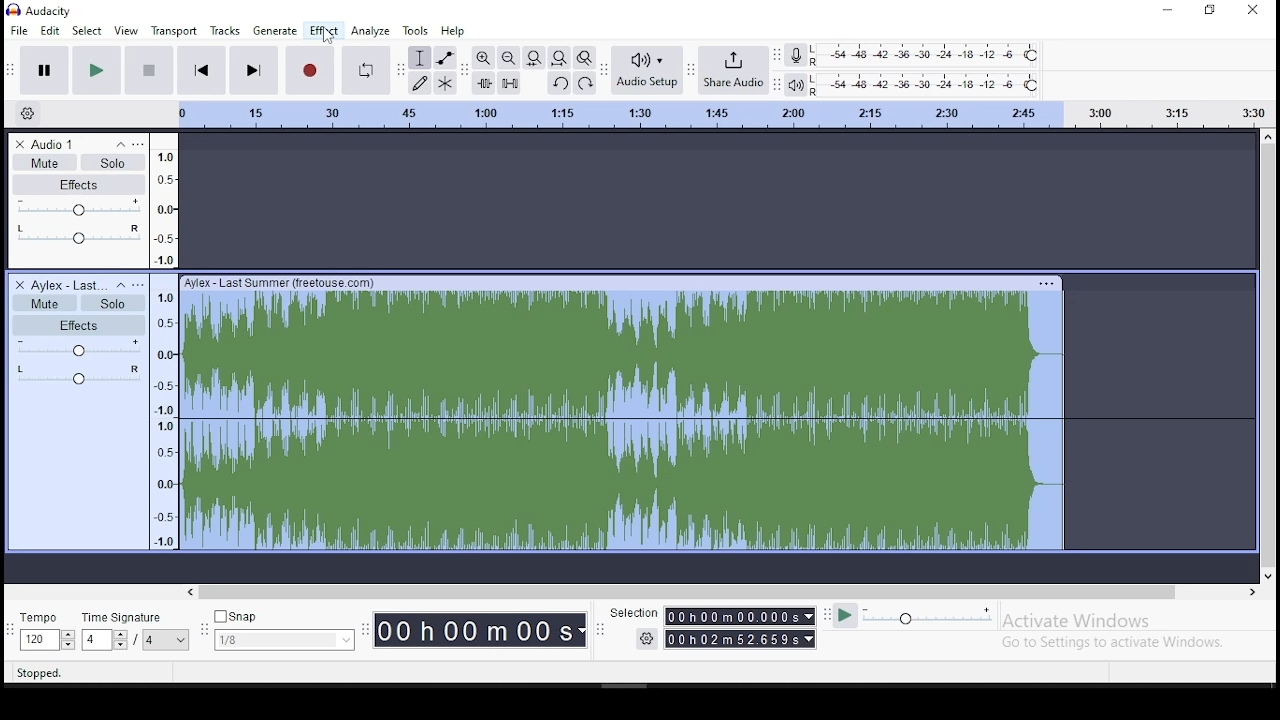  Describe the element at coordinates (65, 284) in the screenshot. I see `audio ` at that location.